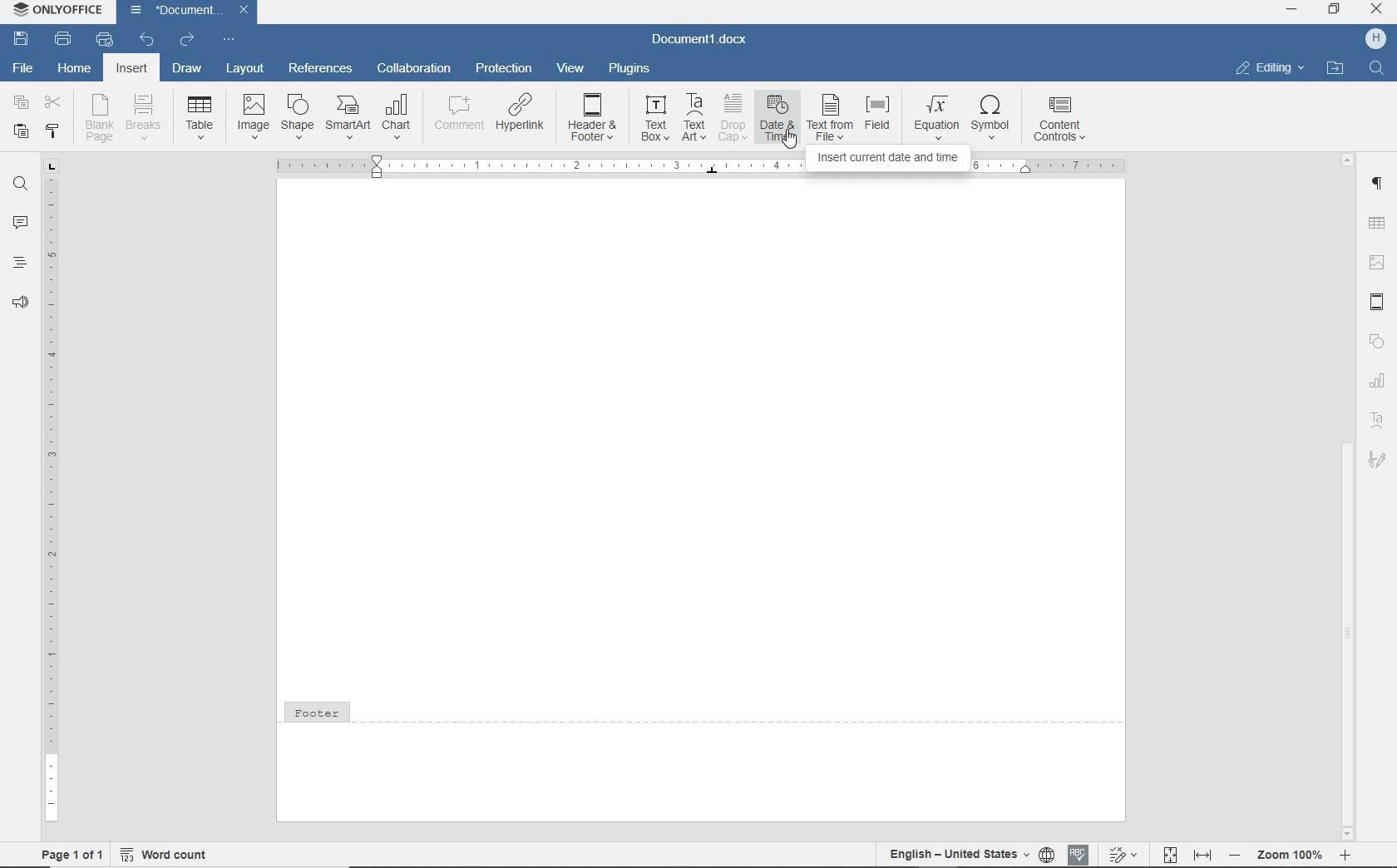 The height and width of the screenshot is (868, 1397). Describe the element at coordinates (18, 263) in the screenshot. I see `headings` at that location.